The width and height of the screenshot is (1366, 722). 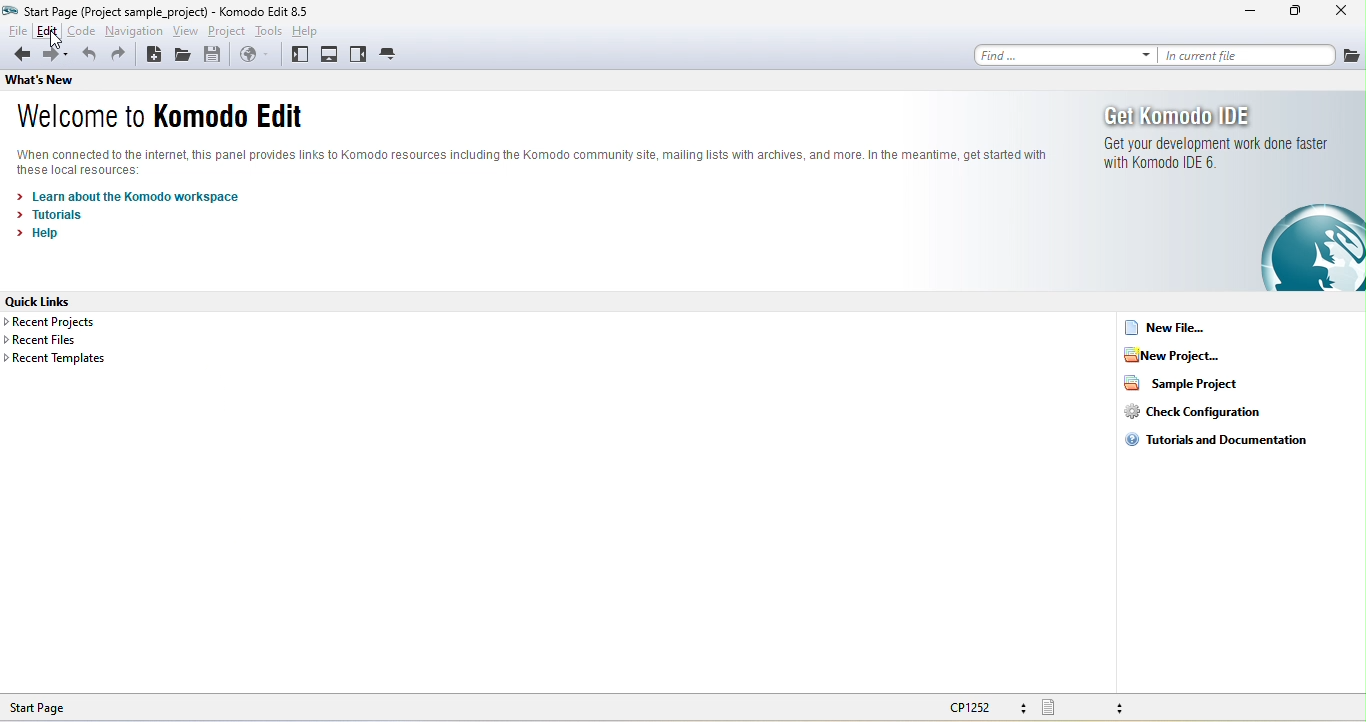 What do you see at coordinates (1347, 12) in the screenshot?
I see `close` at bounding box center [1347, 12].